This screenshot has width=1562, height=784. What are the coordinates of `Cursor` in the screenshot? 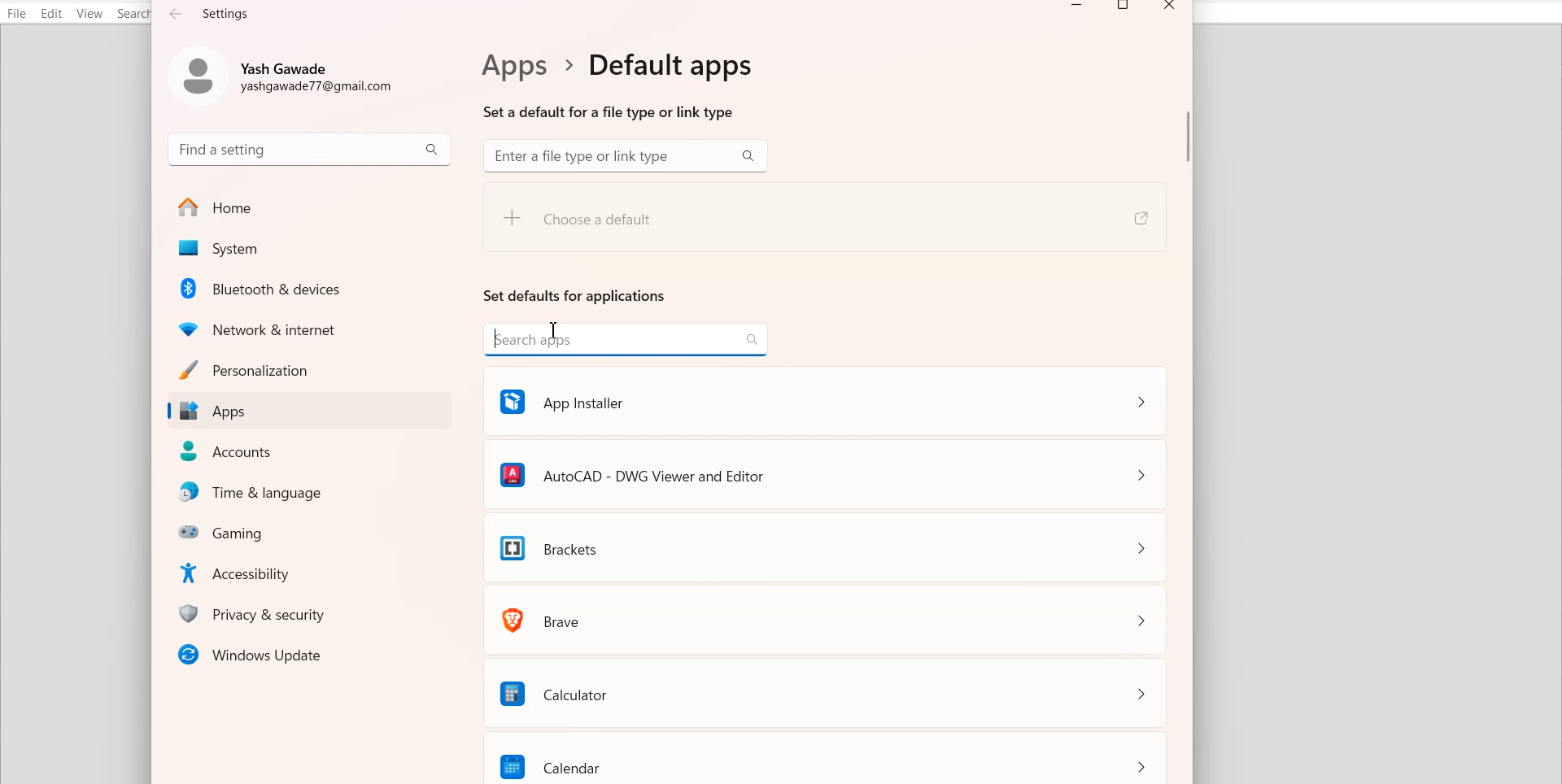 It's located at (556, 333).